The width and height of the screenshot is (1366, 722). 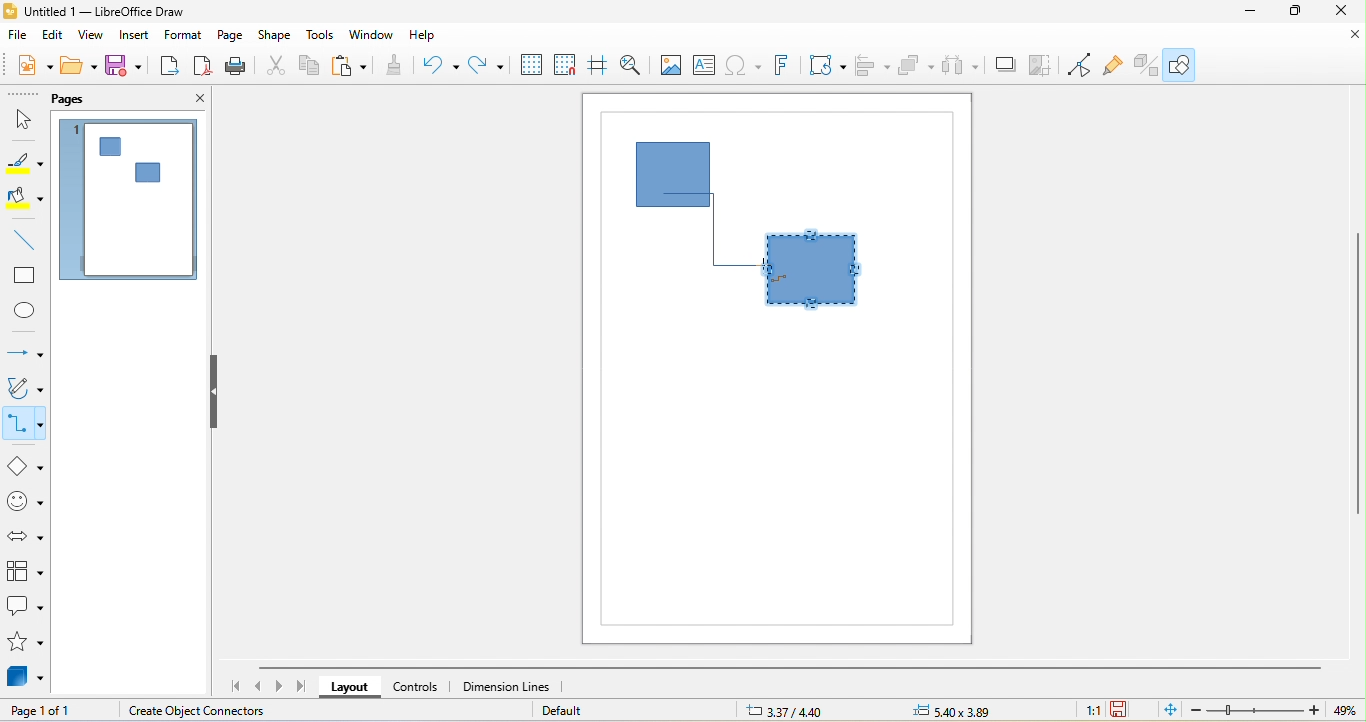 I want to click on stars and banners, so click(x=27, y=642).